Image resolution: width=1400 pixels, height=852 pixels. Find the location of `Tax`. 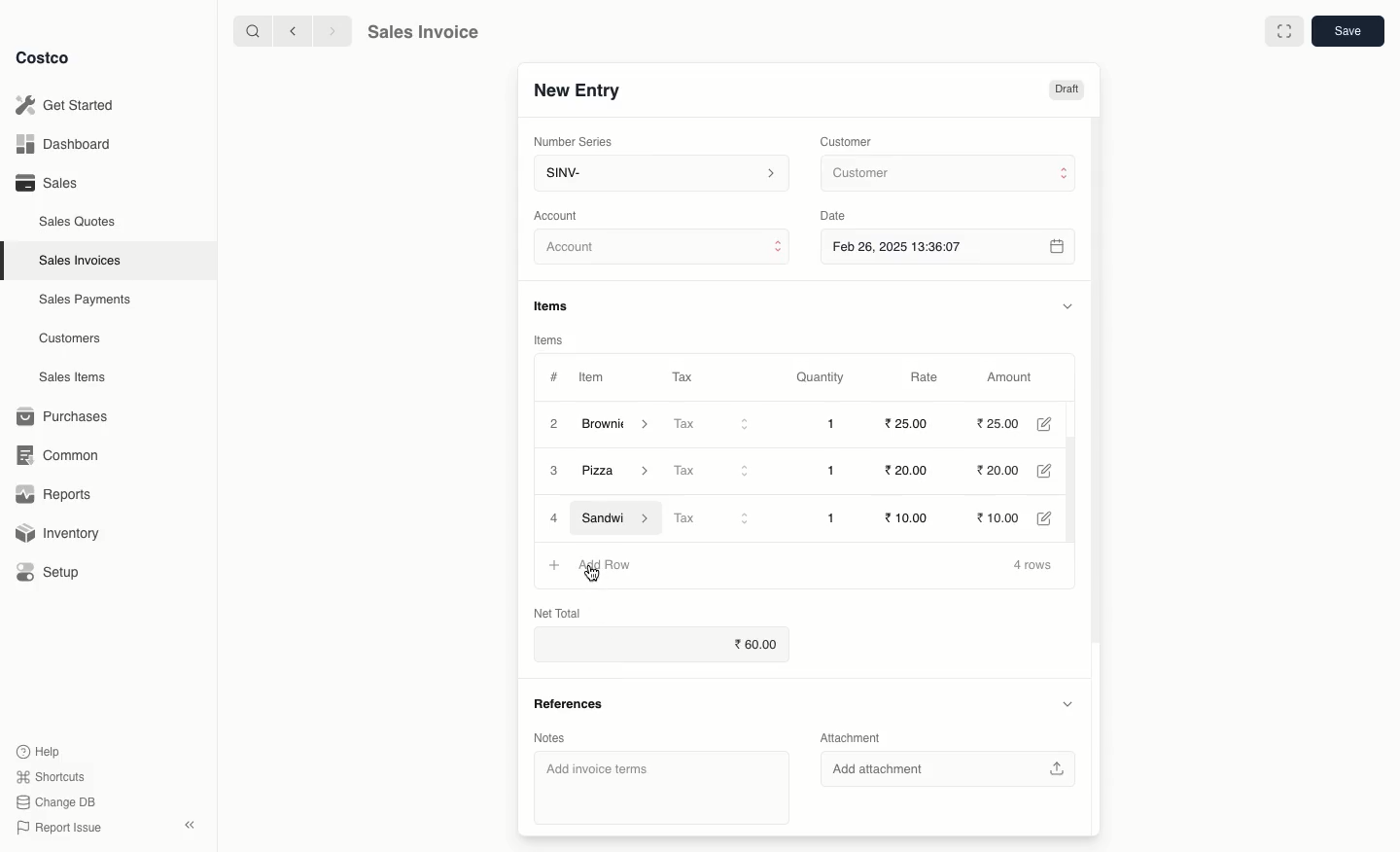

Tax is located at coordinates (682, 373).